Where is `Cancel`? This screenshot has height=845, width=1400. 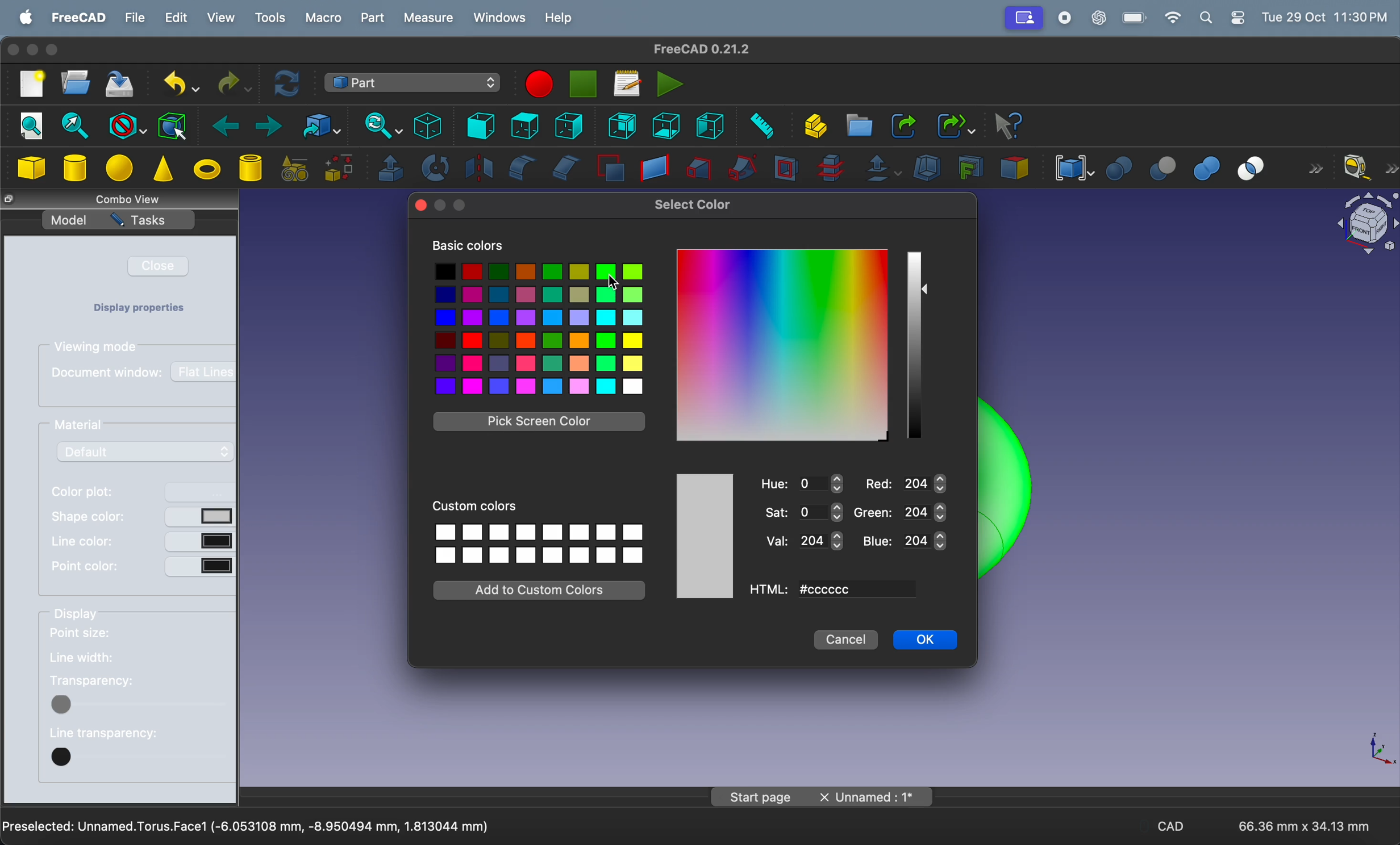 Cancel is located at coordinates (851, 640).